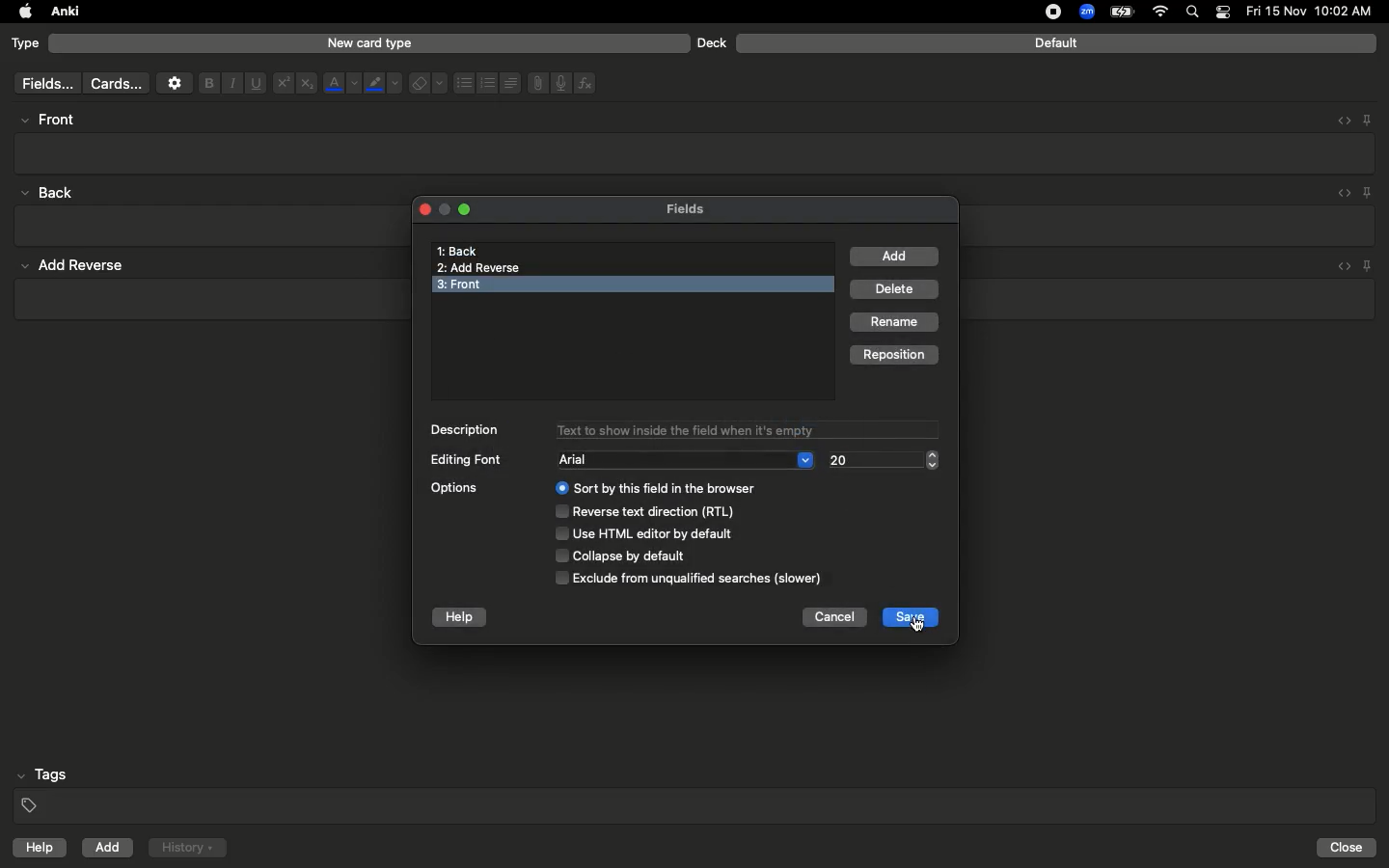 The height and width of the screenshot is (868, 1389). Describe the element at coordinates (368, 42) in the screenshot. I see `New card type` at that location.